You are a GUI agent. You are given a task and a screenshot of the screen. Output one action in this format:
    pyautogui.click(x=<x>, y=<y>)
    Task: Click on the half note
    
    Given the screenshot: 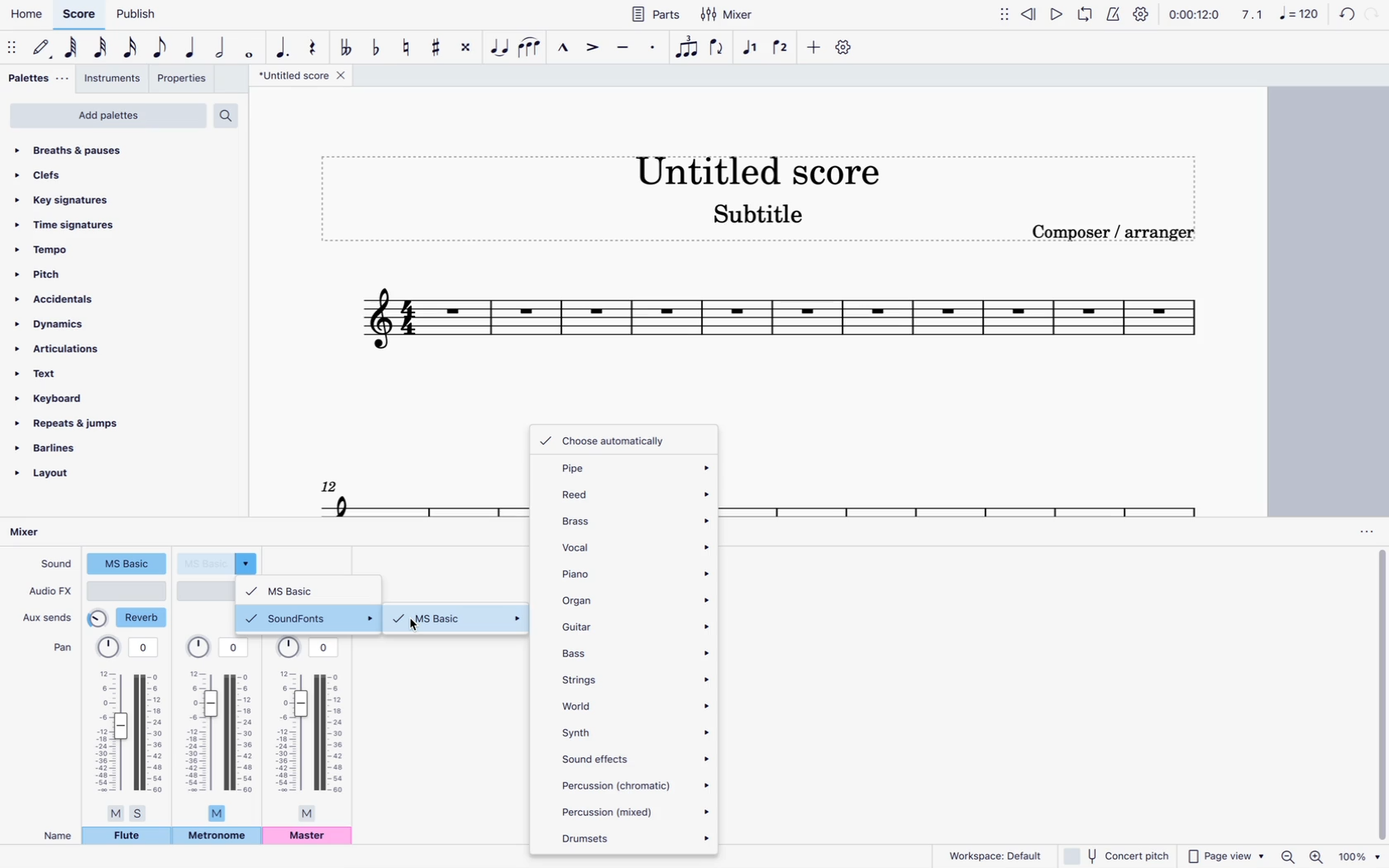 What is the action you would take?
    pyautogui.click(x=223, y=48)
    